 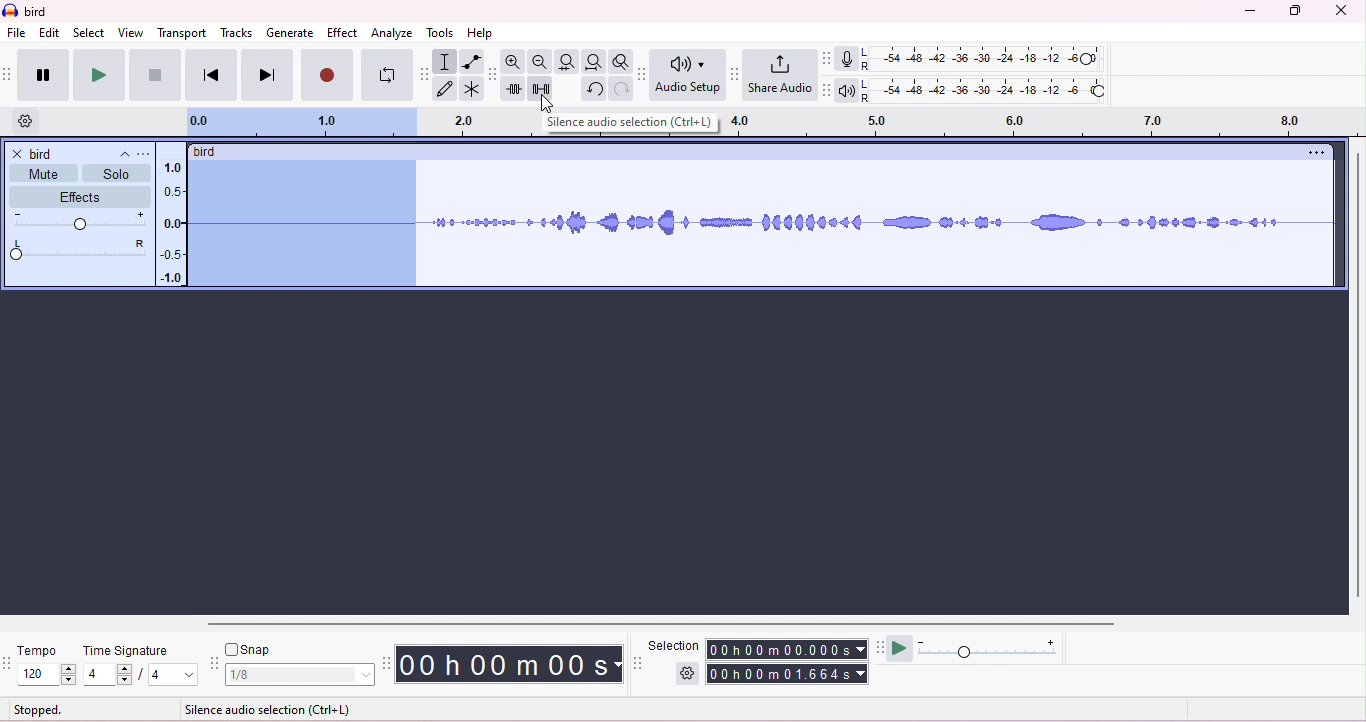 I want to click on time signature toolbar, so click(x=9, y=659).